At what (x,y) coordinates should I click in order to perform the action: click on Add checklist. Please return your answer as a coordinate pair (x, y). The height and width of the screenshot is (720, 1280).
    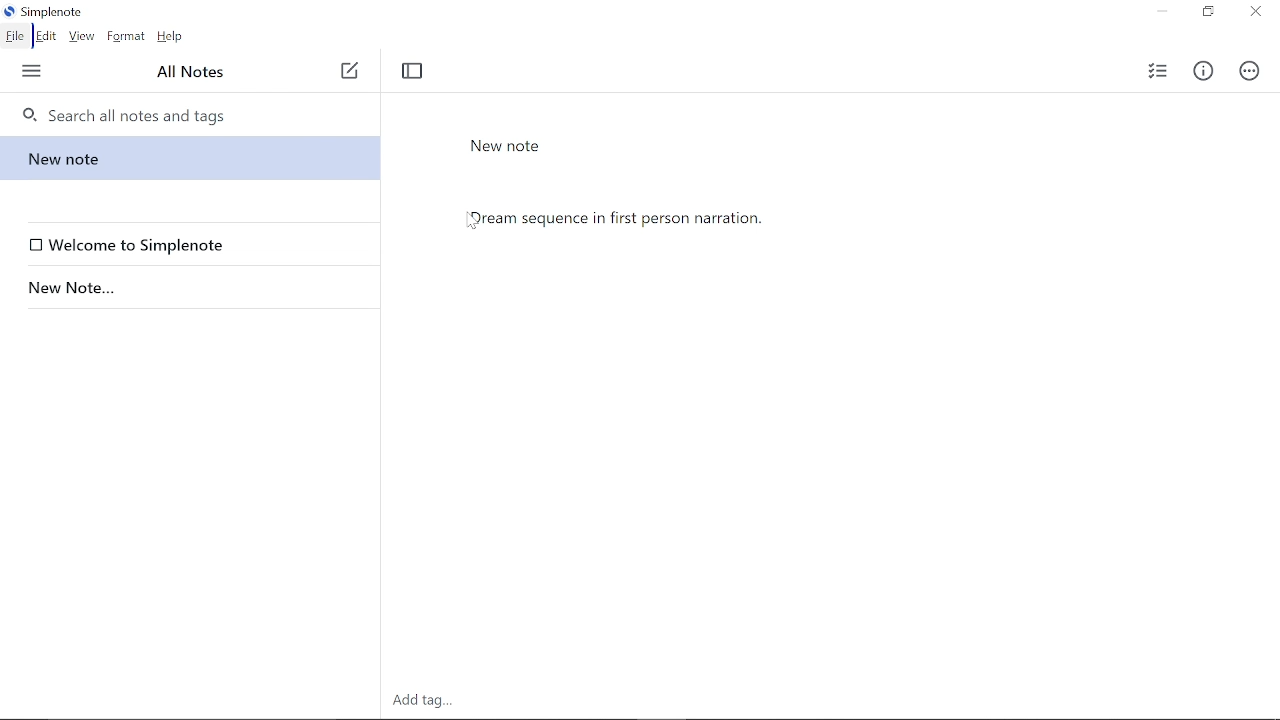
    Looking at the image, I should click on (1153, 73).